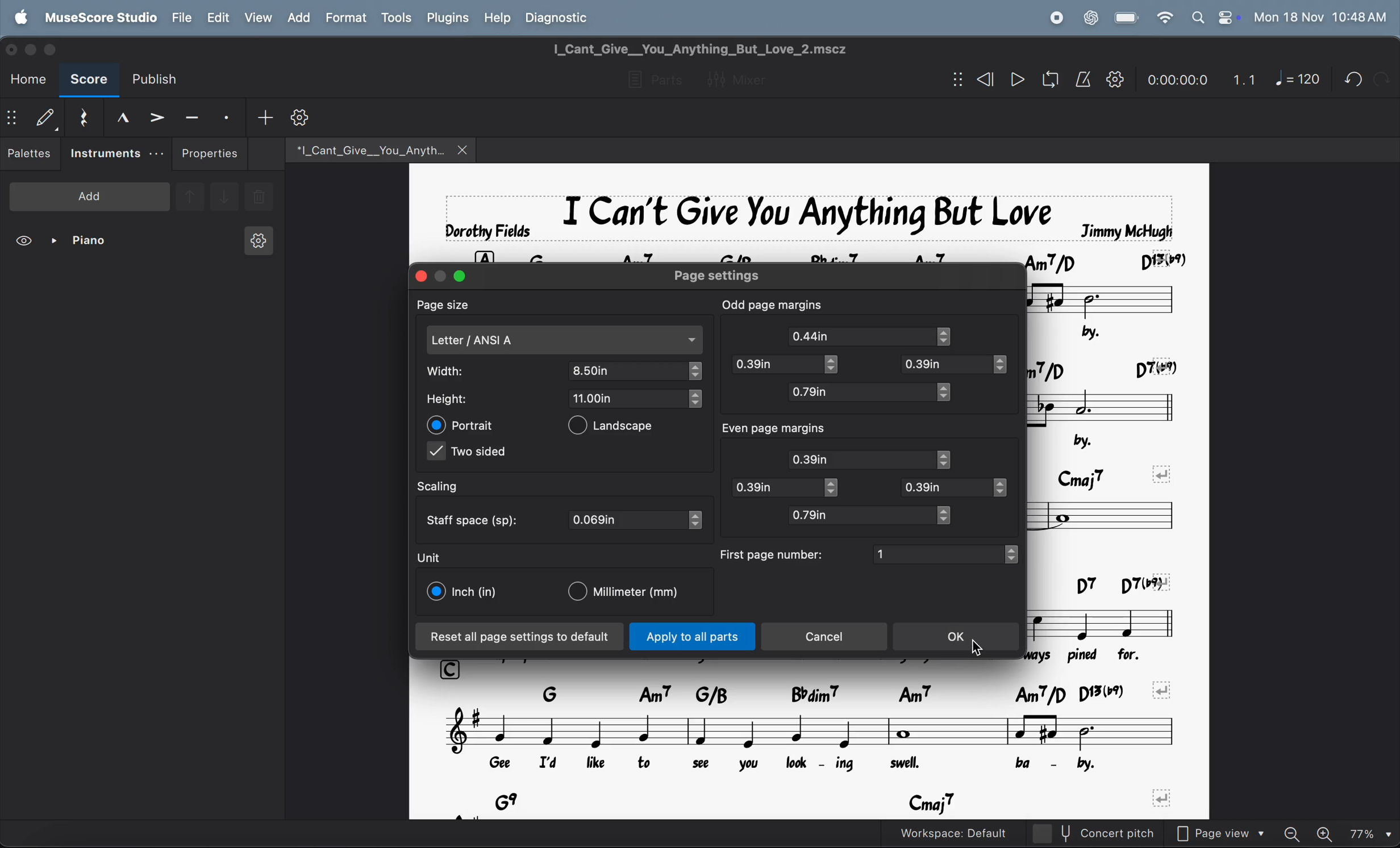  What do you see at coordinates (33, 48) in the screenshot?
I see `minimize` at bounding box center [33, 48].